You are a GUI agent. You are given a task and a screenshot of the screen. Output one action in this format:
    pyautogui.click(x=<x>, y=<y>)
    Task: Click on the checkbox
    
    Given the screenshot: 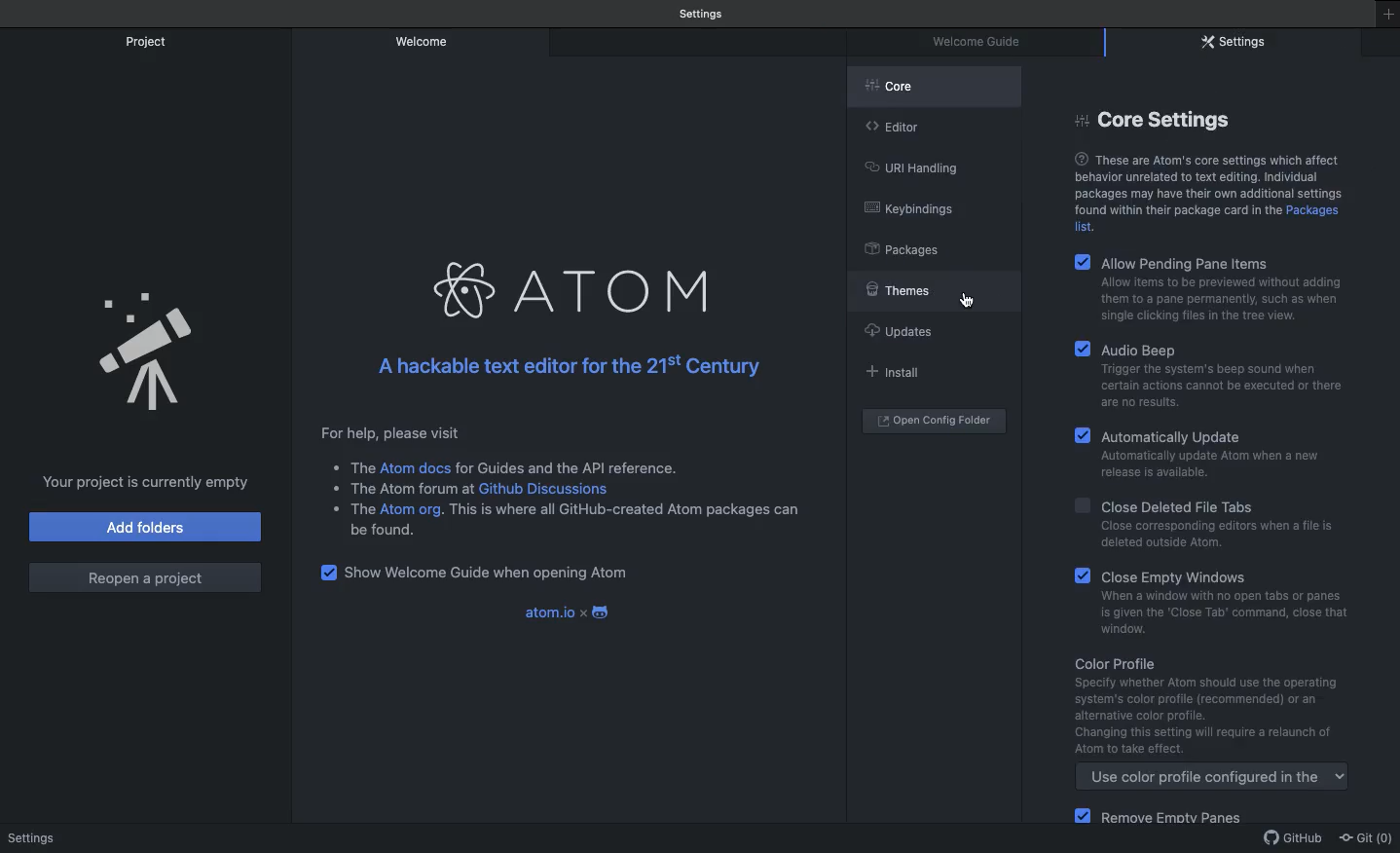 What is the action you would take?
    pyautogui.click(x=1081, y=505)
    